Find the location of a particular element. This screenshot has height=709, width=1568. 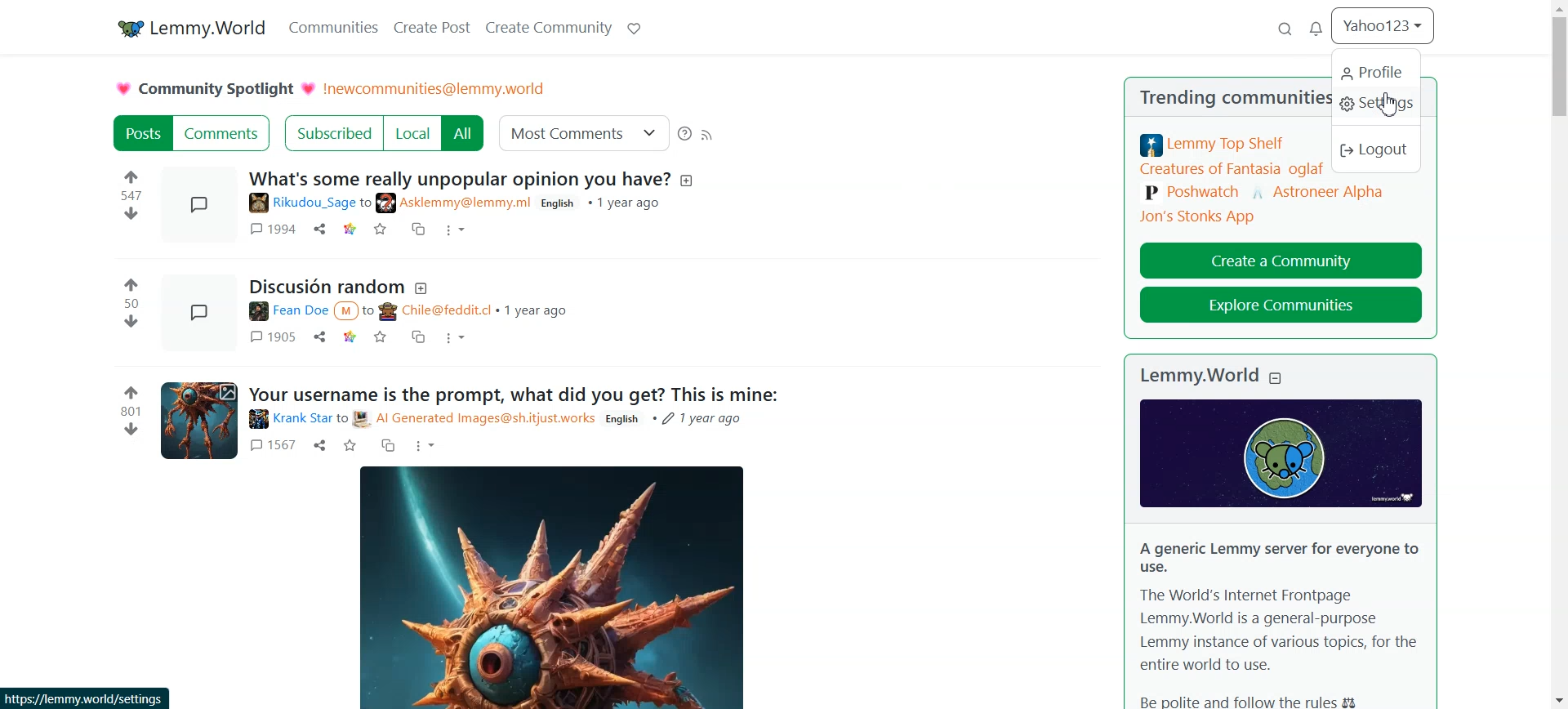

Community spotlight is located at coordinates (214, 88).